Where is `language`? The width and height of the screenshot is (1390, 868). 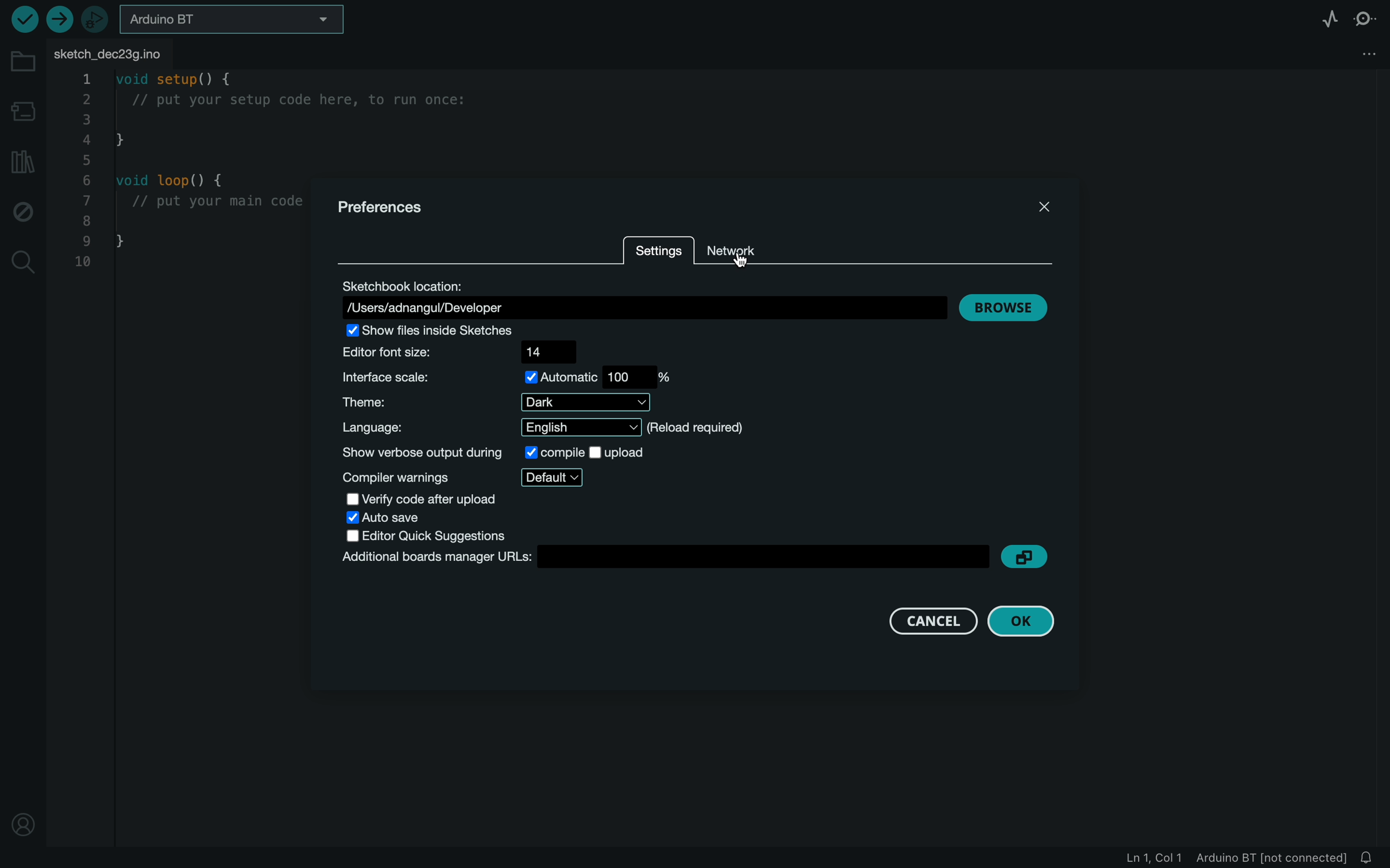 language is located at coordinates (561, 428).